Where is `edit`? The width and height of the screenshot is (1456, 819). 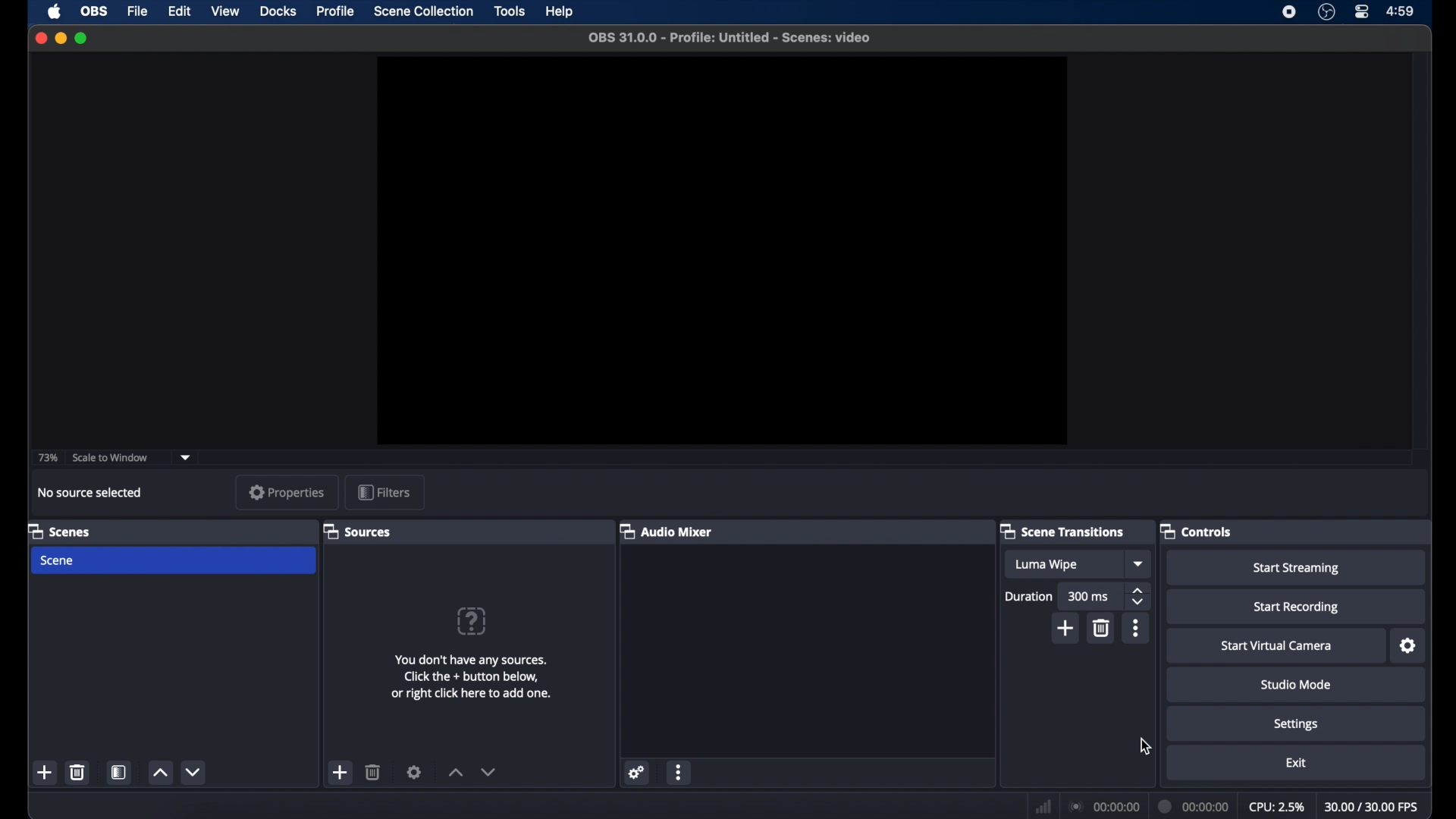 edit is located at coordinates (178, 11).